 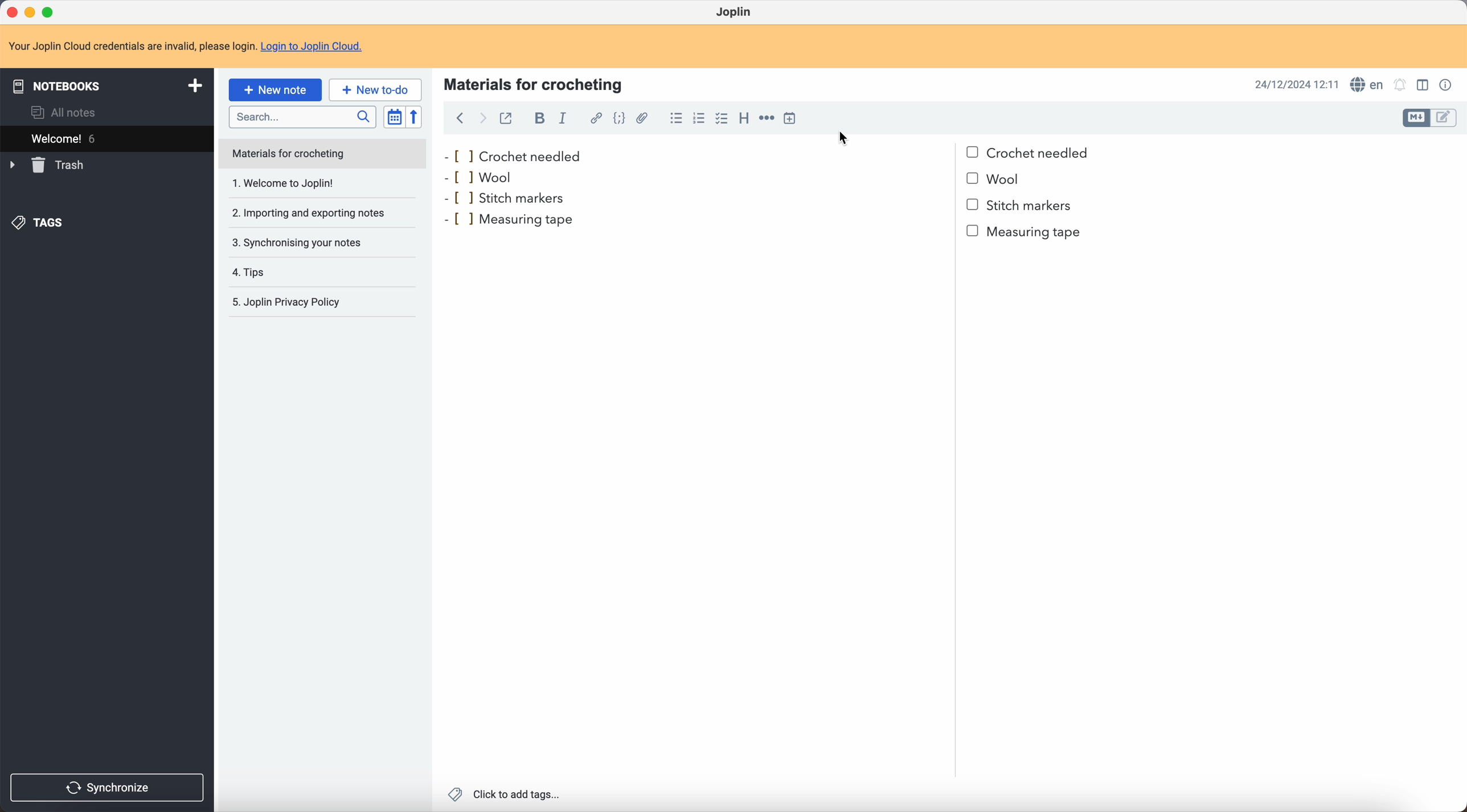 I want to click on Joplin, so click(x=735, y=13).